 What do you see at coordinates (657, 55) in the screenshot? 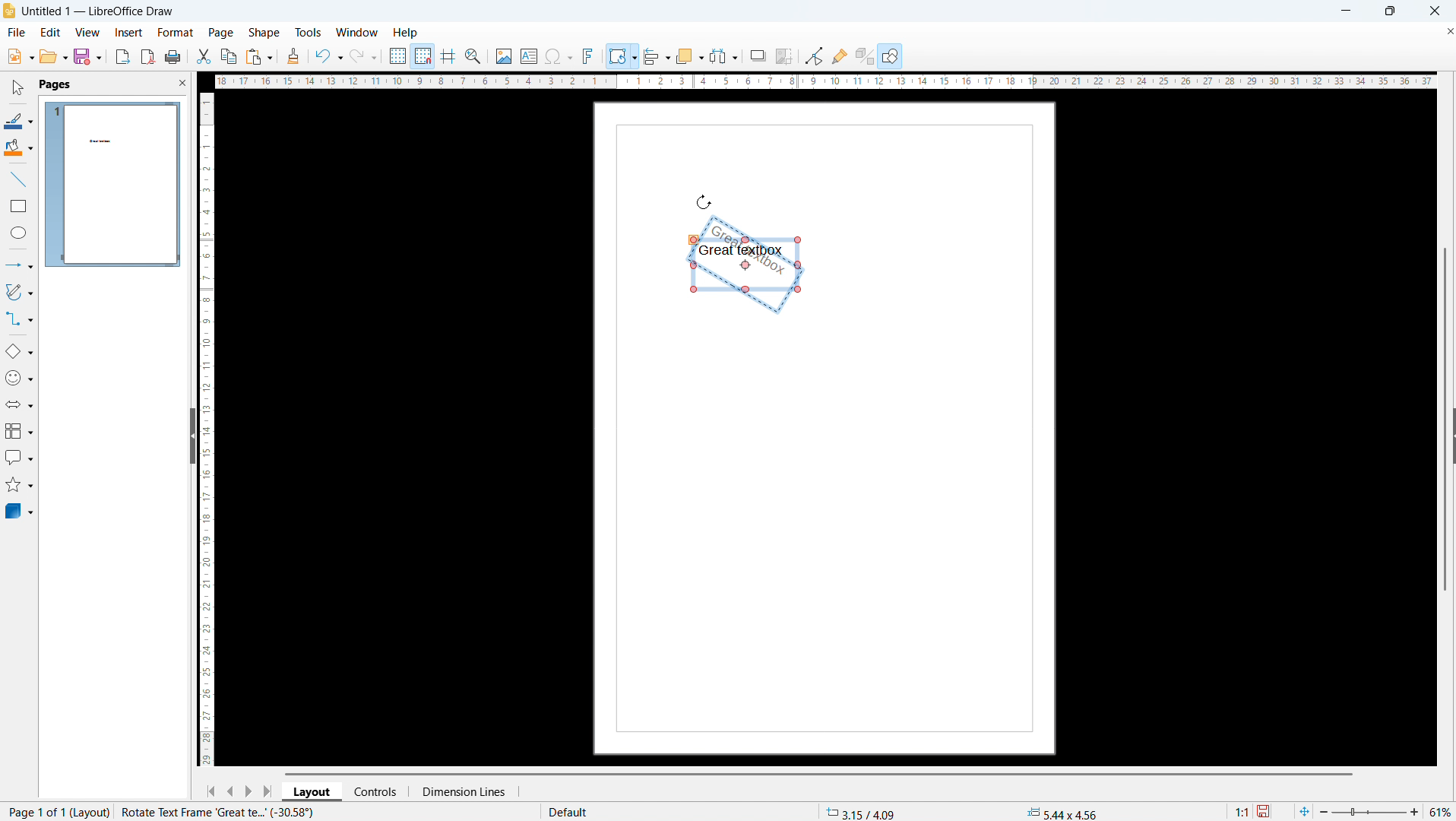
I see `align` at bounding box center [657, 55].